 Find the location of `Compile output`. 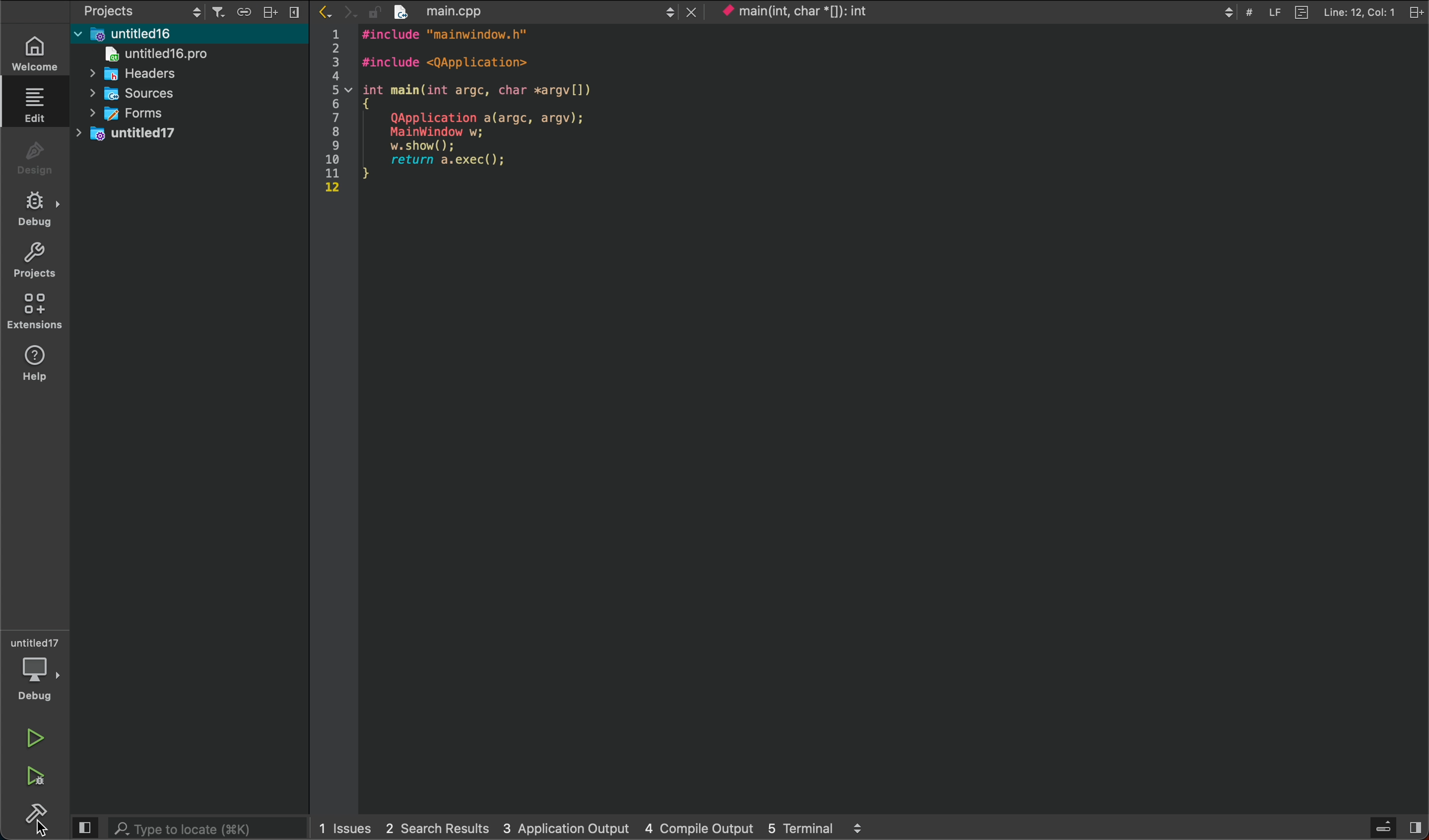

Compile output is located at coordinates (700, 828).